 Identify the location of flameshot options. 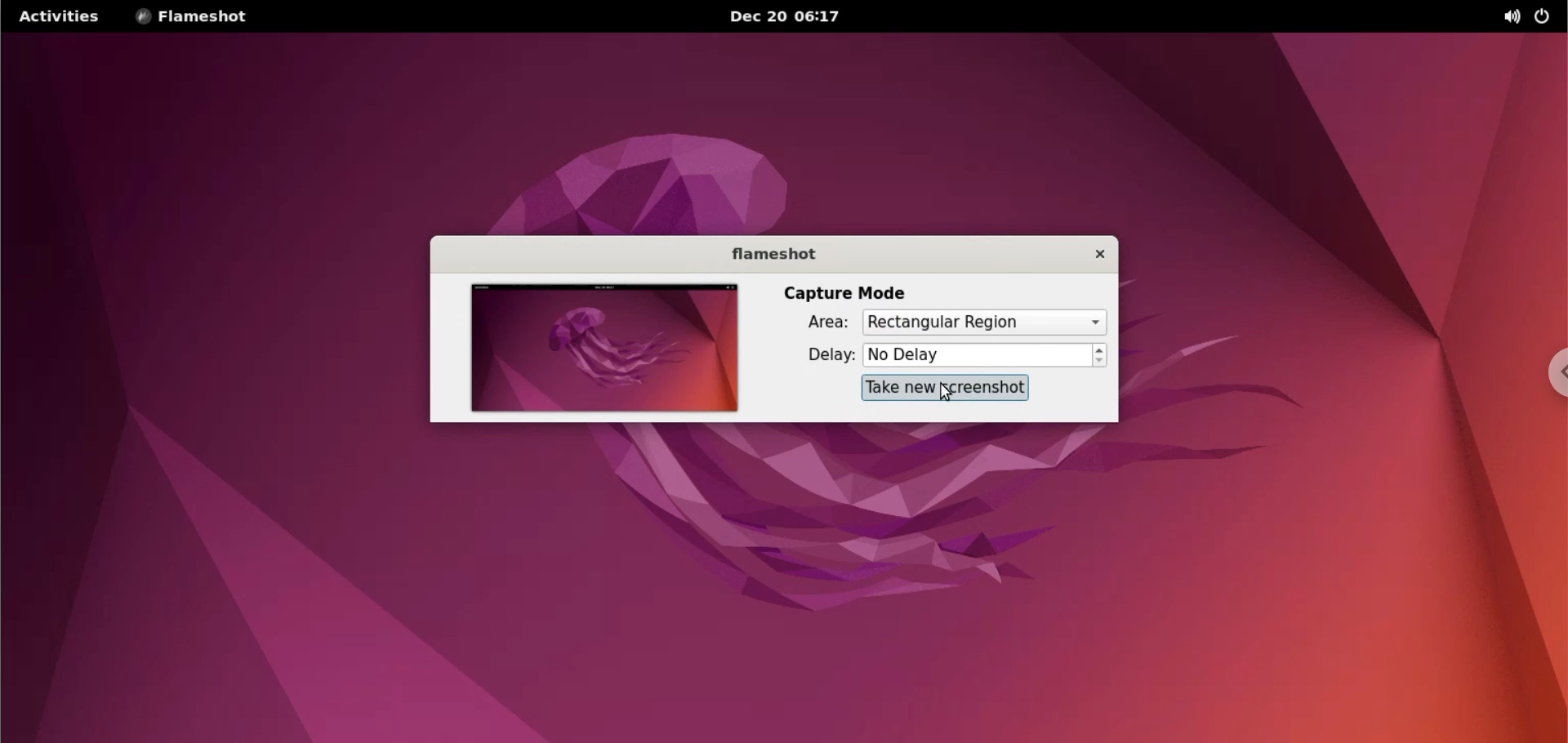
(208, 17).